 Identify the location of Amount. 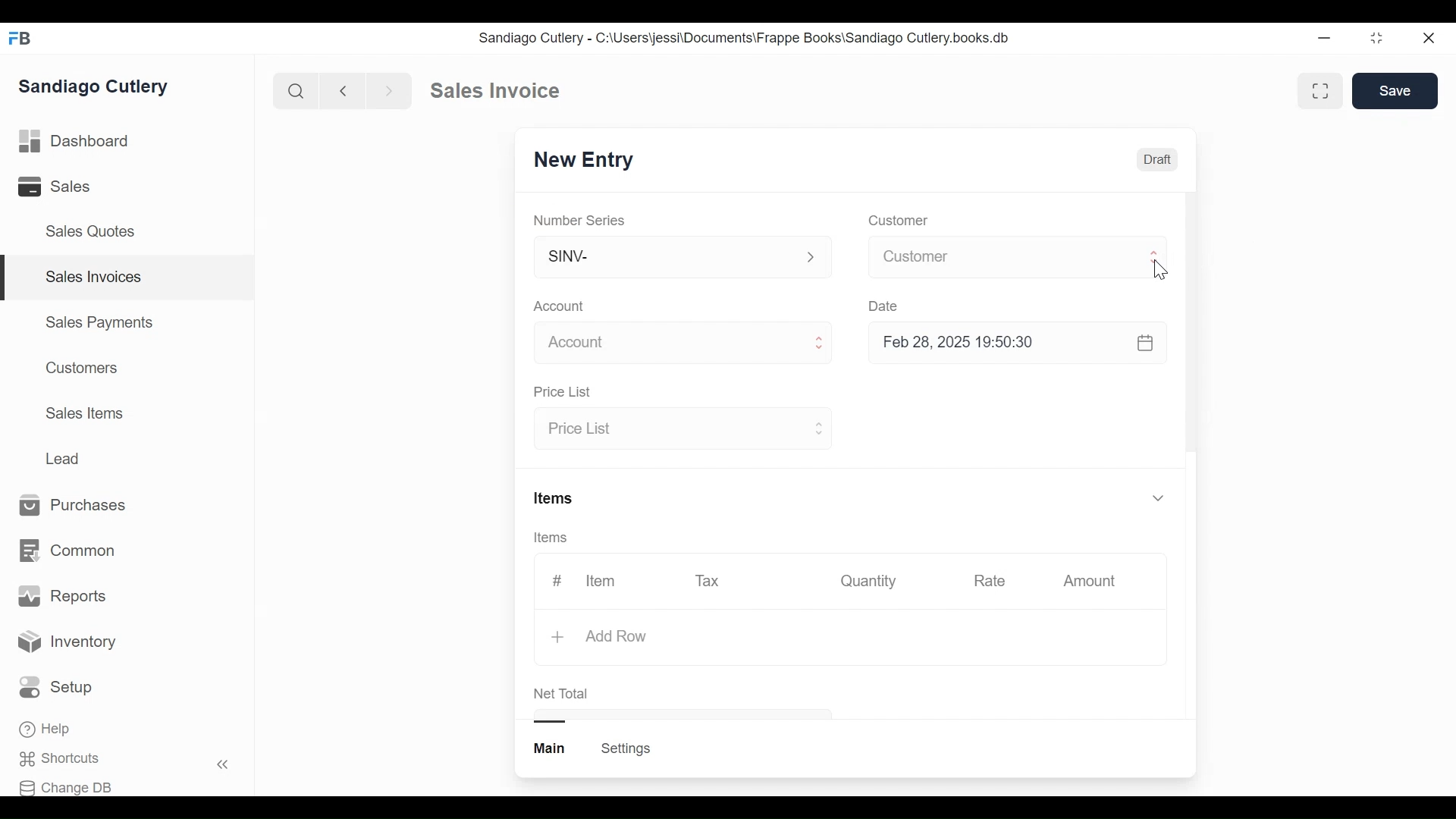
(1090, 581).